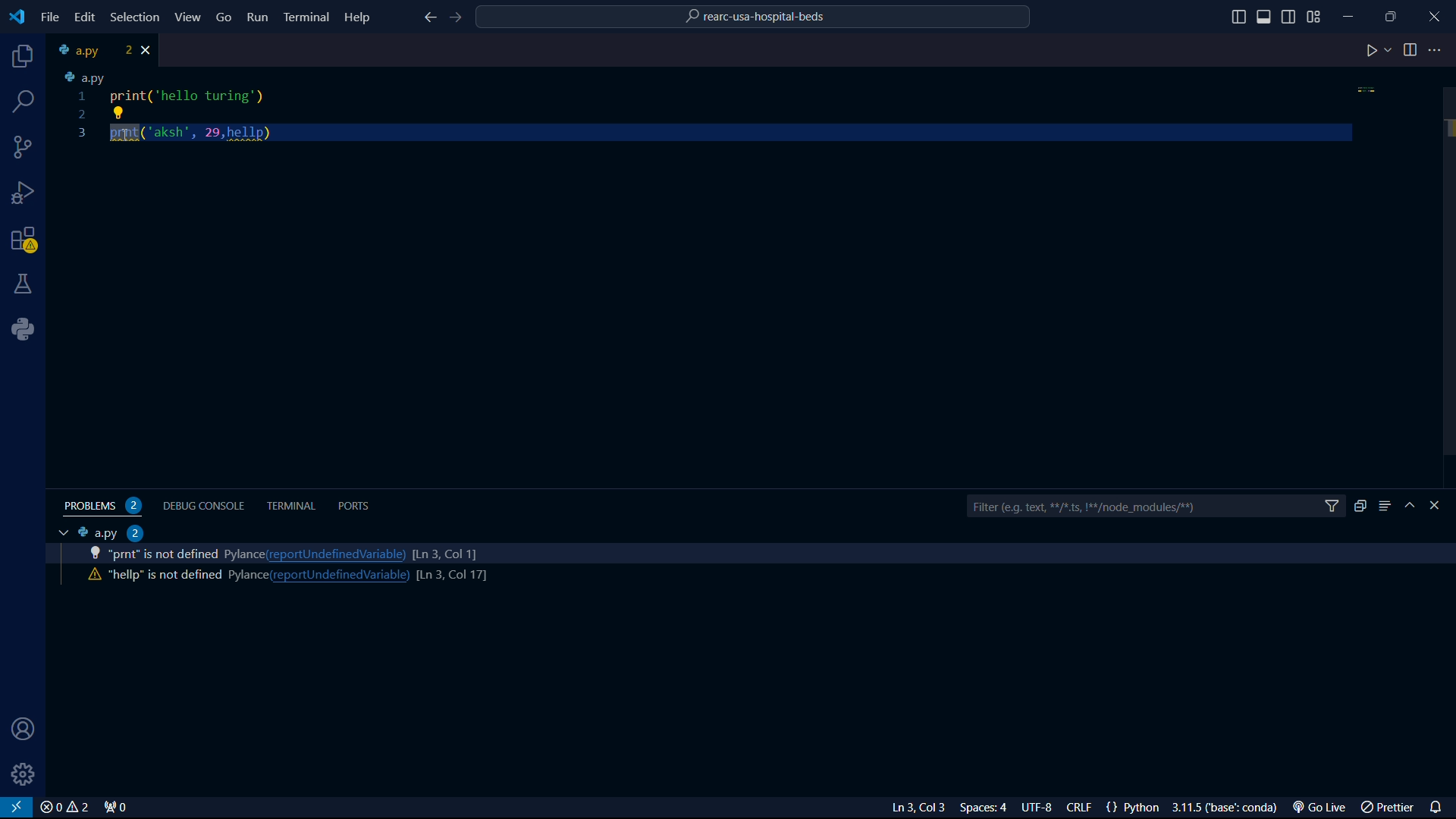 This screenshot has width=1456, height=819. Describe the element at coordinates (1155, 507) in the screenshot. I see `filter bar` at that location.